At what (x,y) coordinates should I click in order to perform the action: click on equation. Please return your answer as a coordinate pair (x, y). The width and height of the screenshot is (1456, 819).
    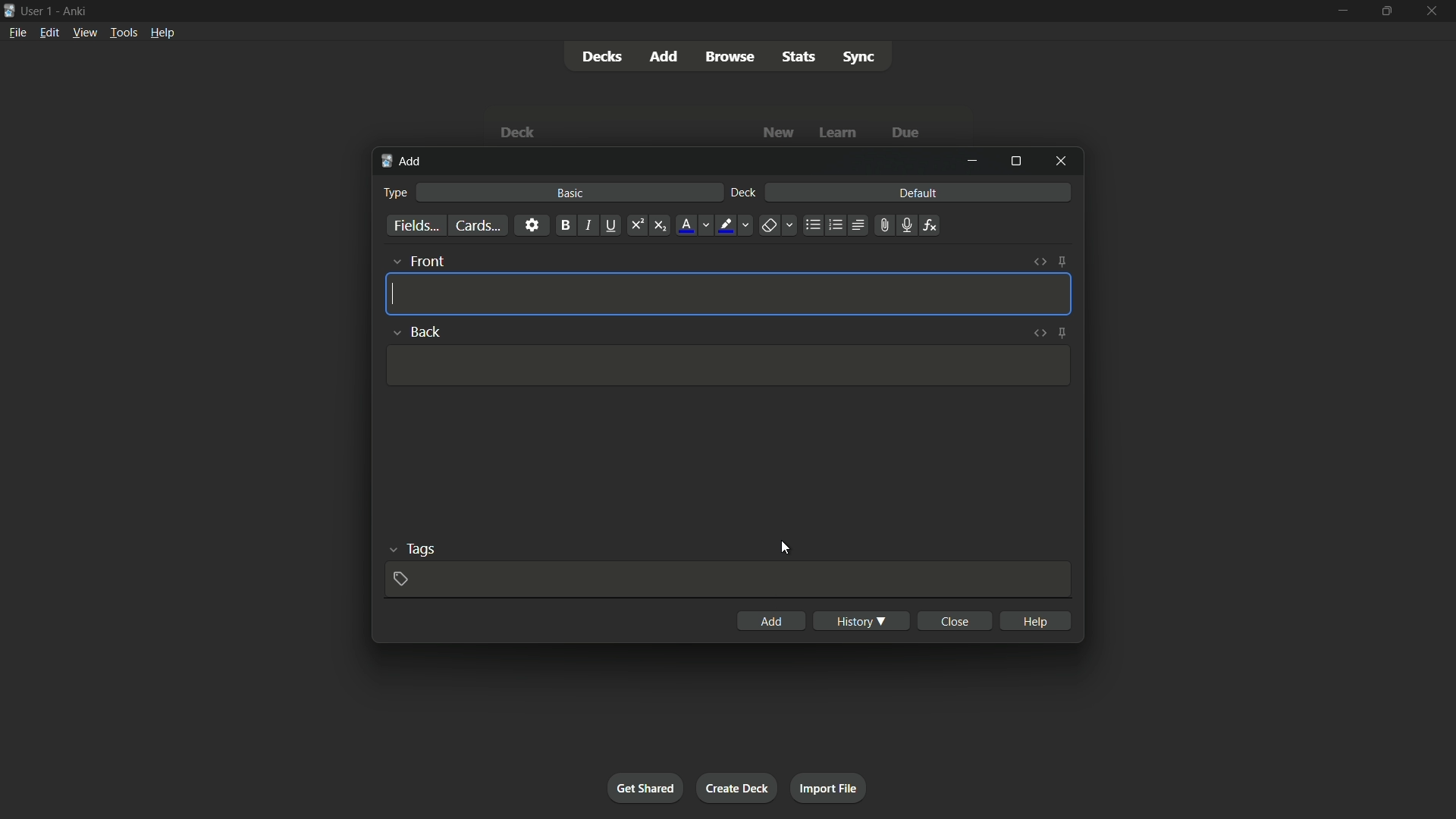
    Looking at the image, I should click on (930, 224).